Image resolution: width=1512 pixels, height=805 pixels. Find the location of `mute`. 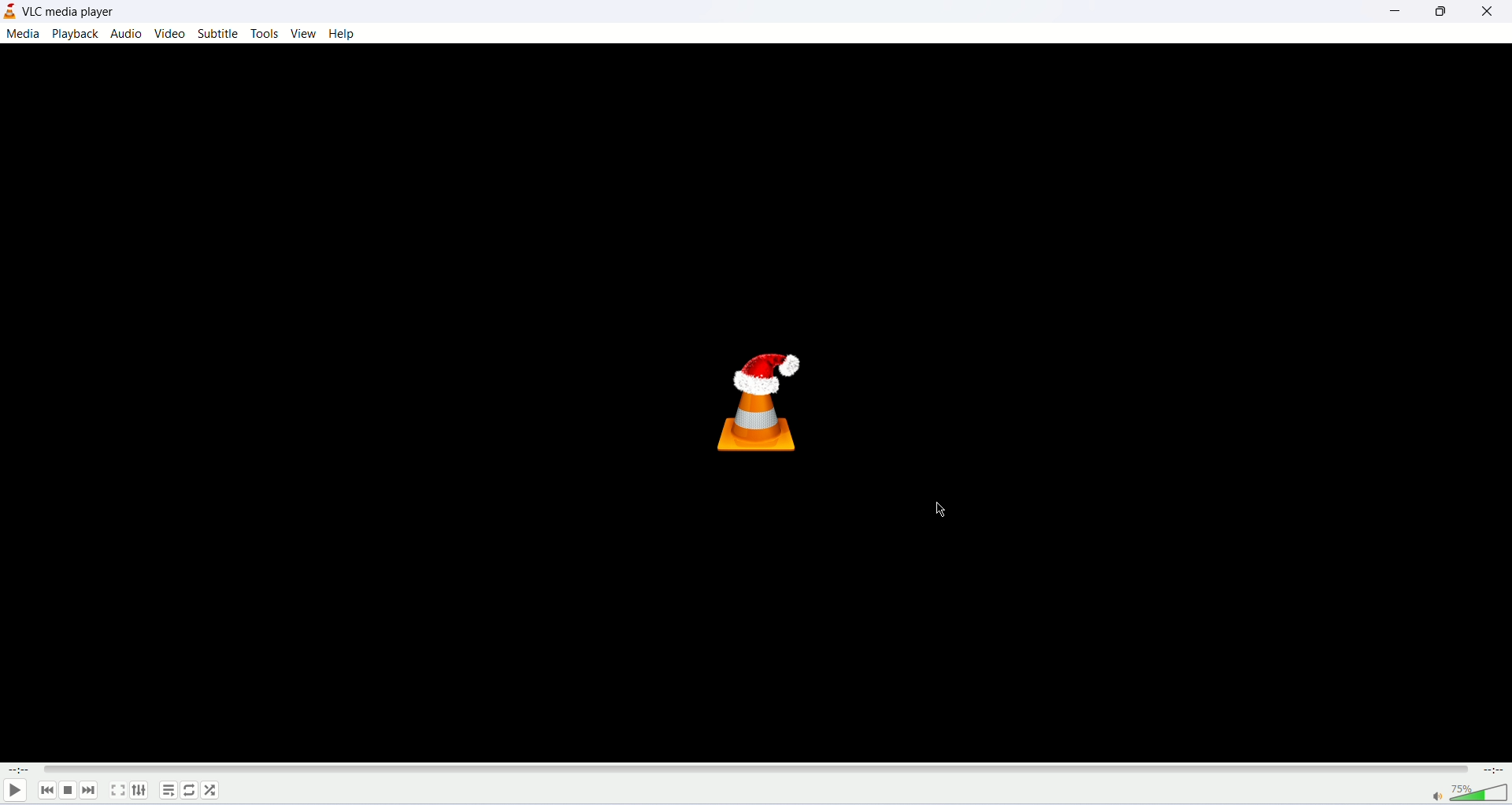

mute is located at coordinates (1437, 796).